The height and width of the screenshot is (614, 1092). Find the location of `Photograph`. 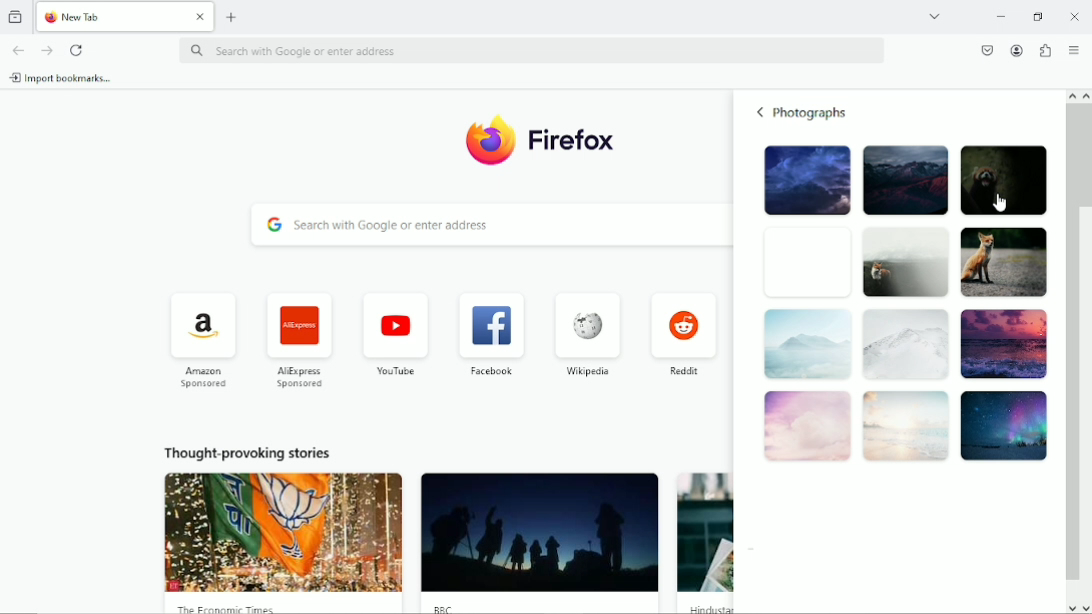

Photograph is located at coordinates (1003, 262).